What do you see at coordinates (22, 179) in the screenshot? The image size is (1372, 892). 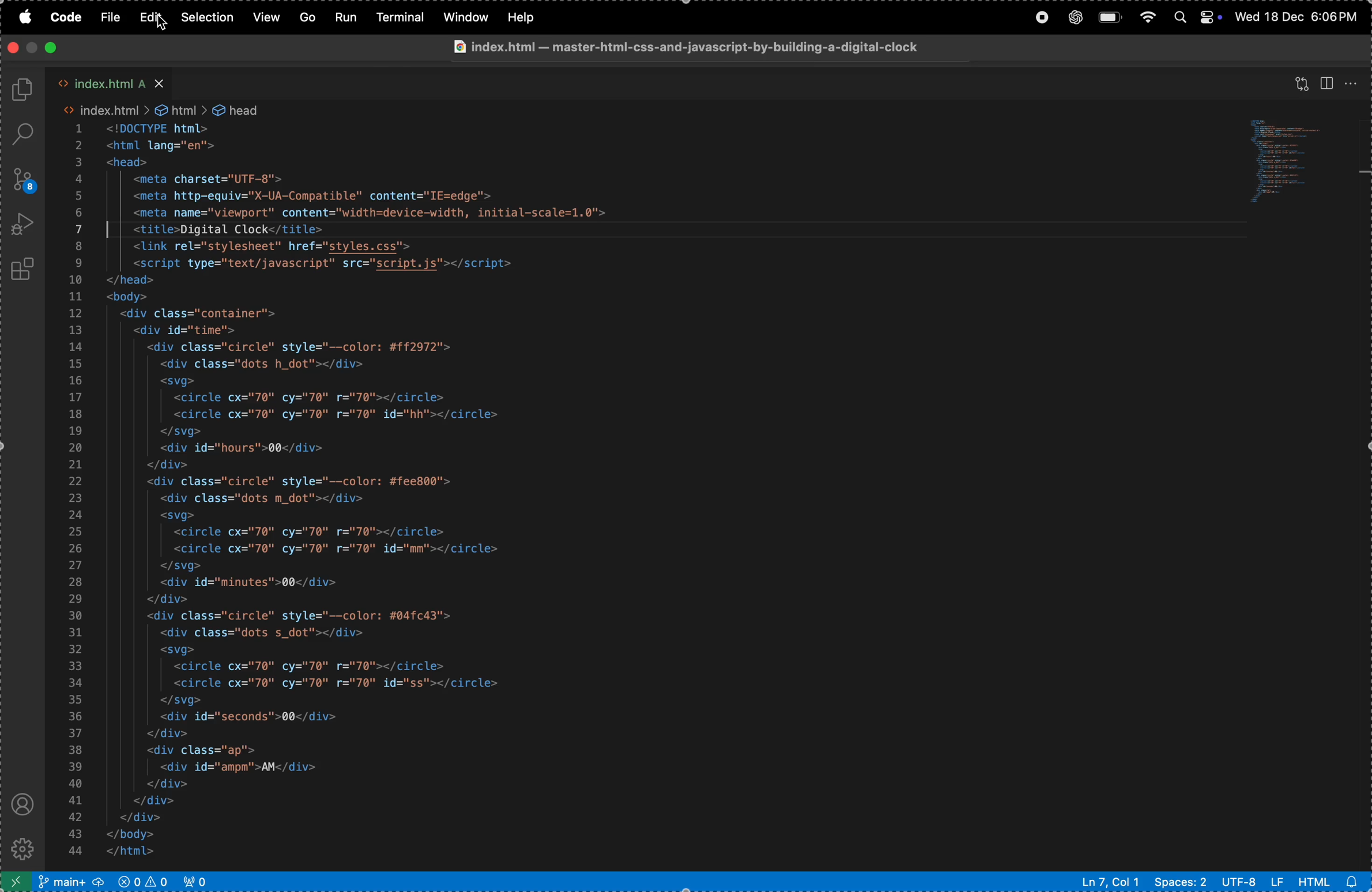 I see `source control` at bounding box center [22, 179].